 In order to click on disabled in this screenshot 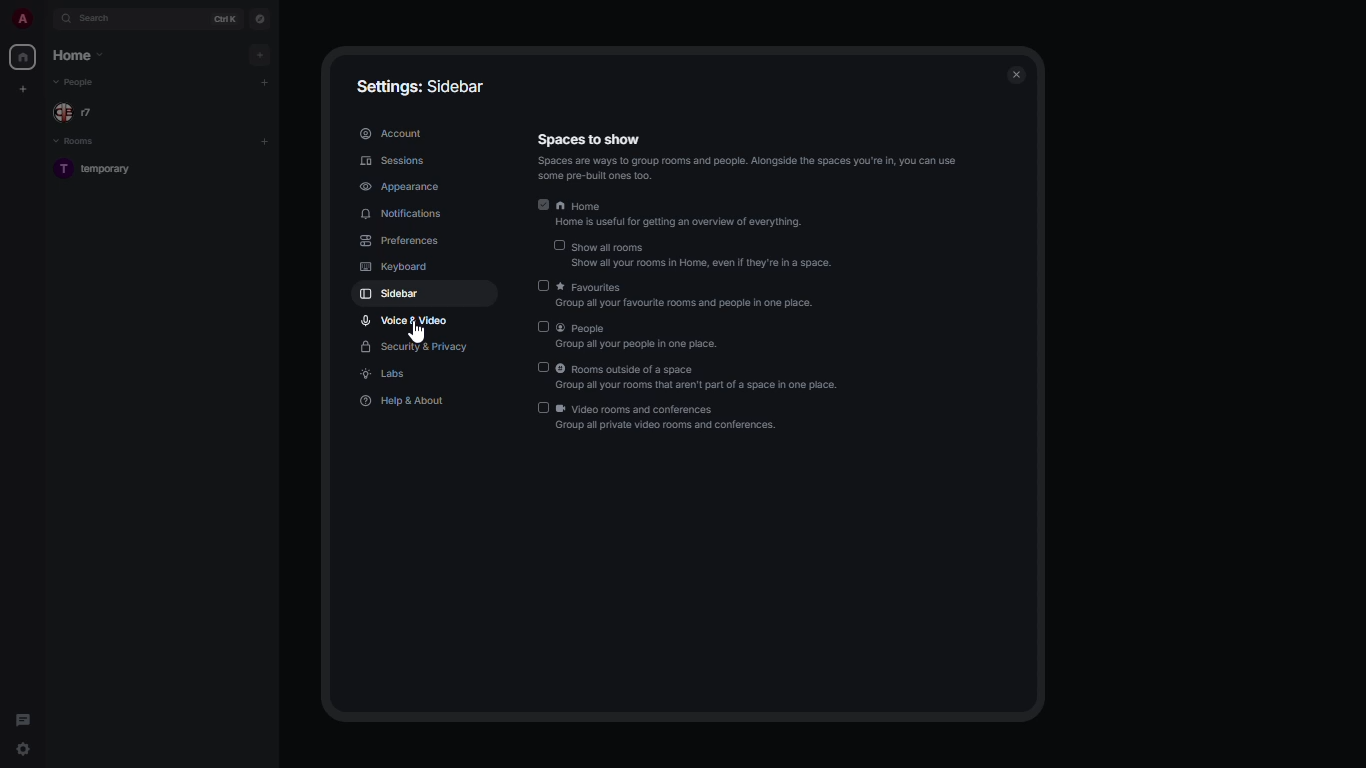, I will do `click(541, 368)`.